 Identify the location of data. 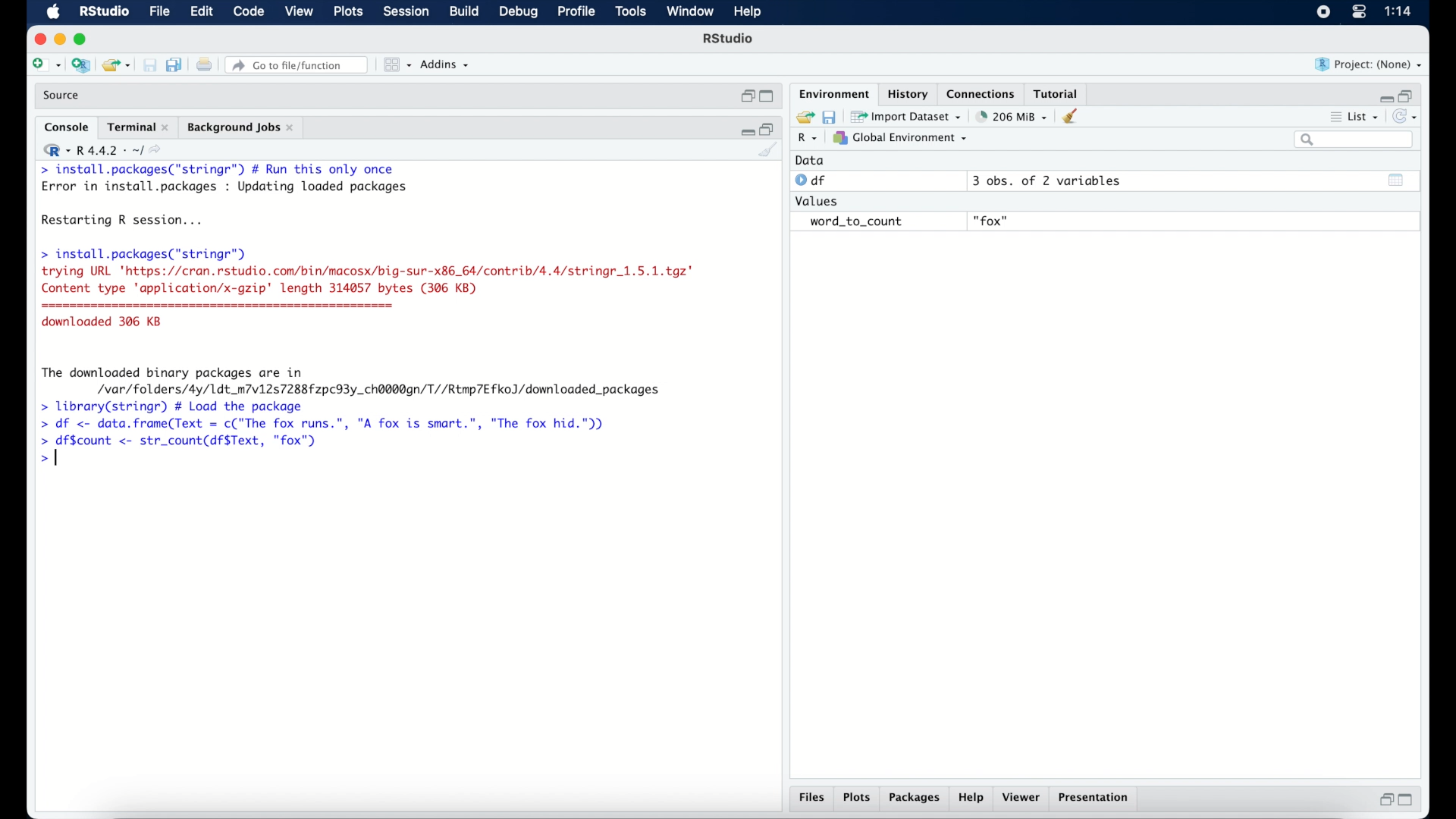
(810, 160).